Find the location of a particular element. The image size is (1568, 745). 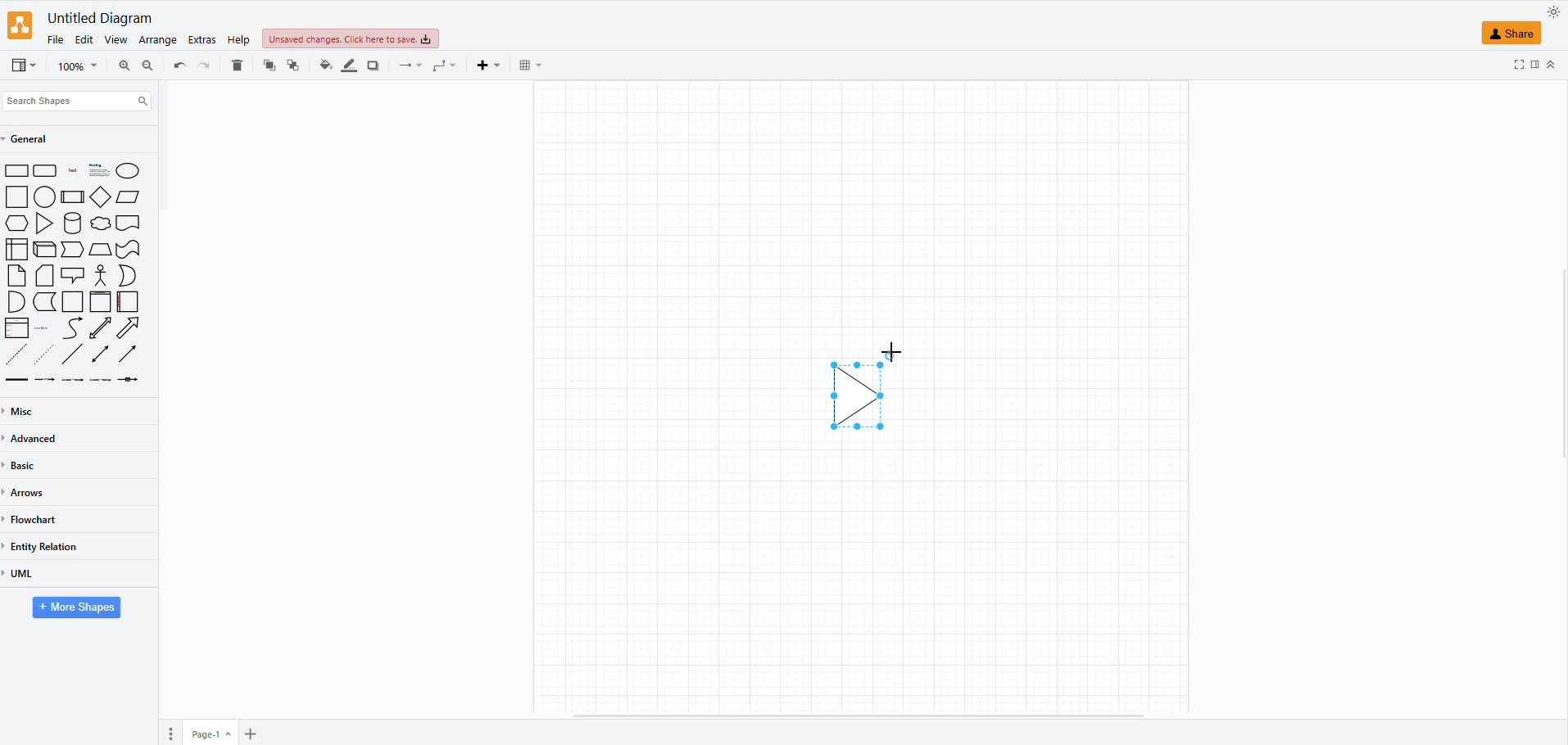

Cylinder is located at coordinates (74, 223).